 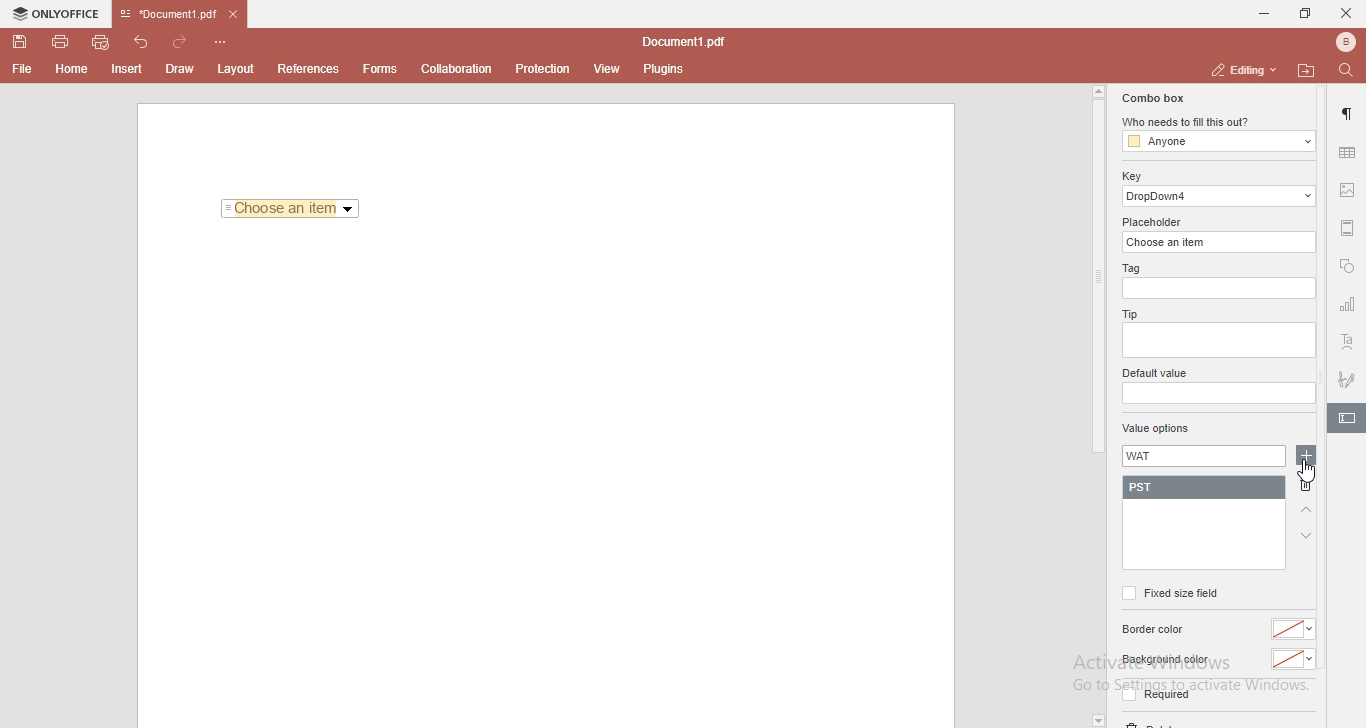 I want to click on color dropdown, so click(x=1296, y=629).